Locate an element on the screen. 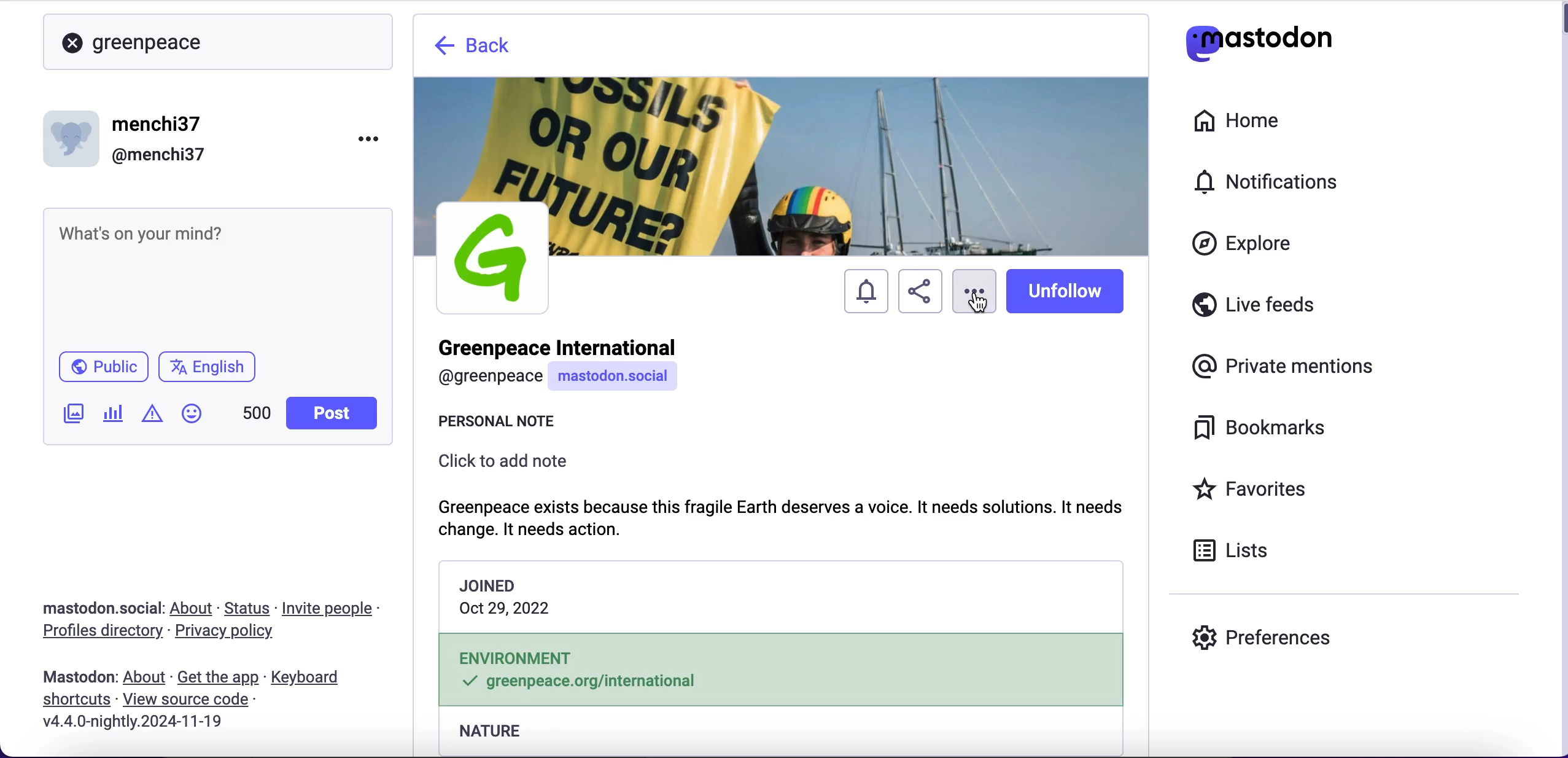 This screenshot has width=1568, height=758. private mentions is located at coordinates (1287, 363).